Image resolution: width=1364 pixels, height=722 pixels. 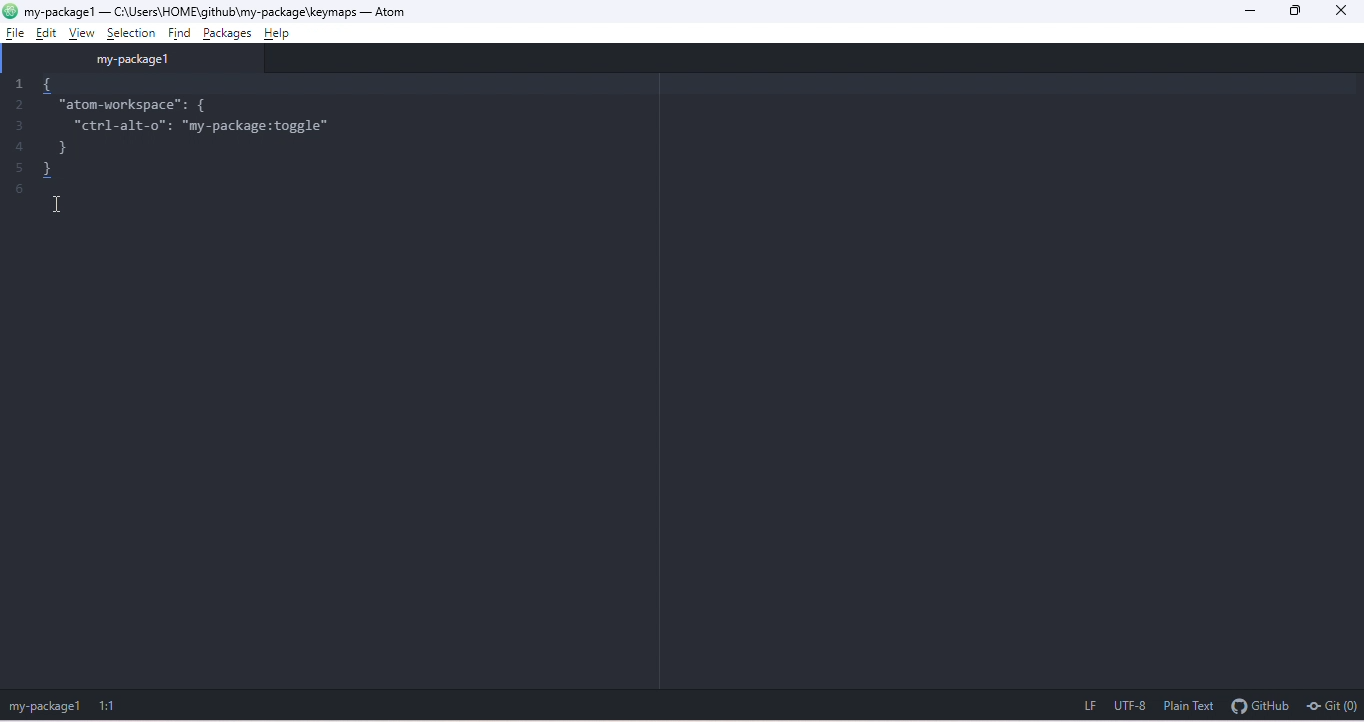 What do you see at coordinates (16, 134) in the screenshot?
I see `1 2 3 4 5 6` at bounding box center [16, 134].